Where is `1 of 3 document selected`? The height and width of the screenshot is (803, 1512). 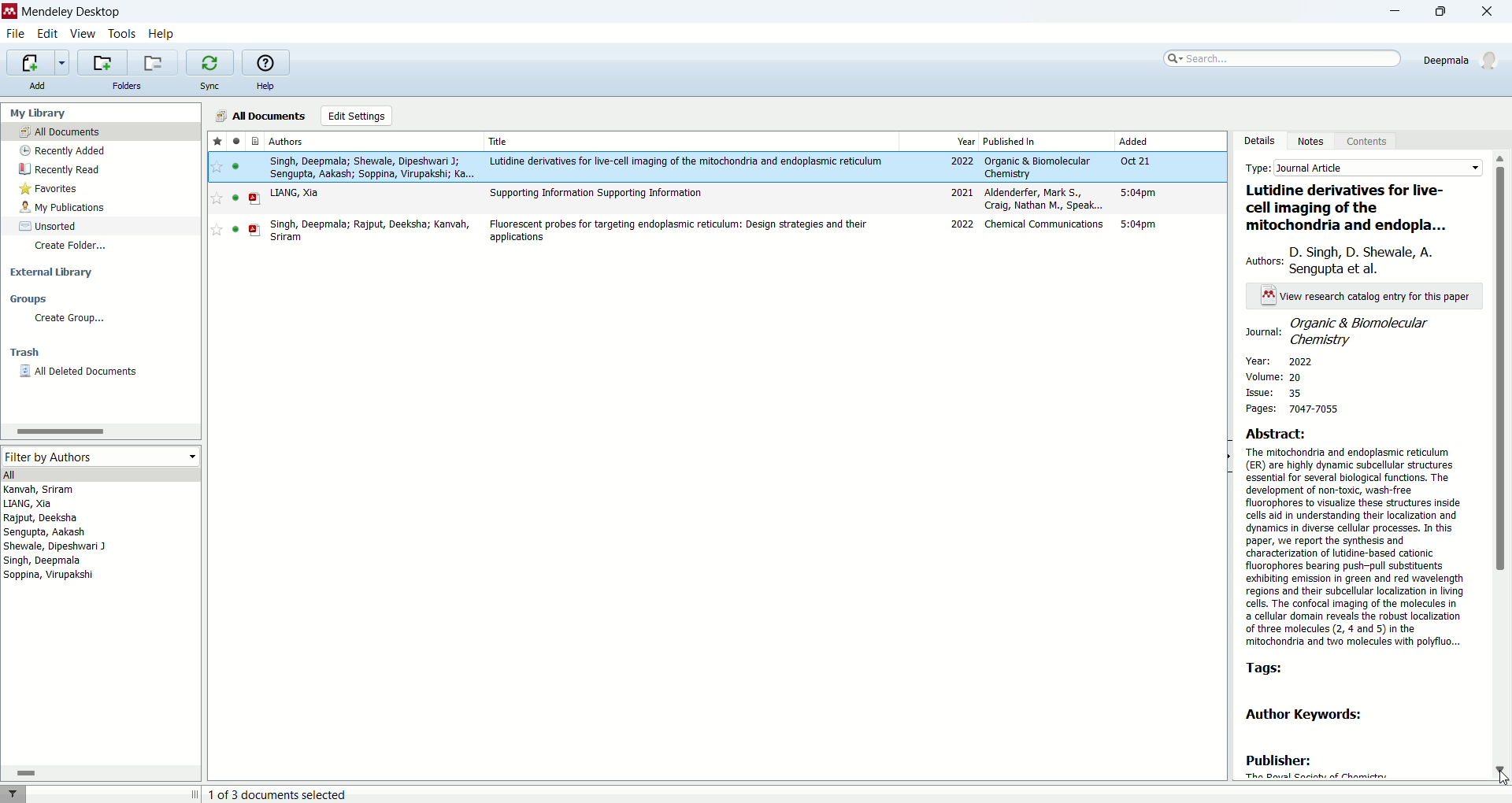
1 of 3 document selected is located at coordinates (285, 794).